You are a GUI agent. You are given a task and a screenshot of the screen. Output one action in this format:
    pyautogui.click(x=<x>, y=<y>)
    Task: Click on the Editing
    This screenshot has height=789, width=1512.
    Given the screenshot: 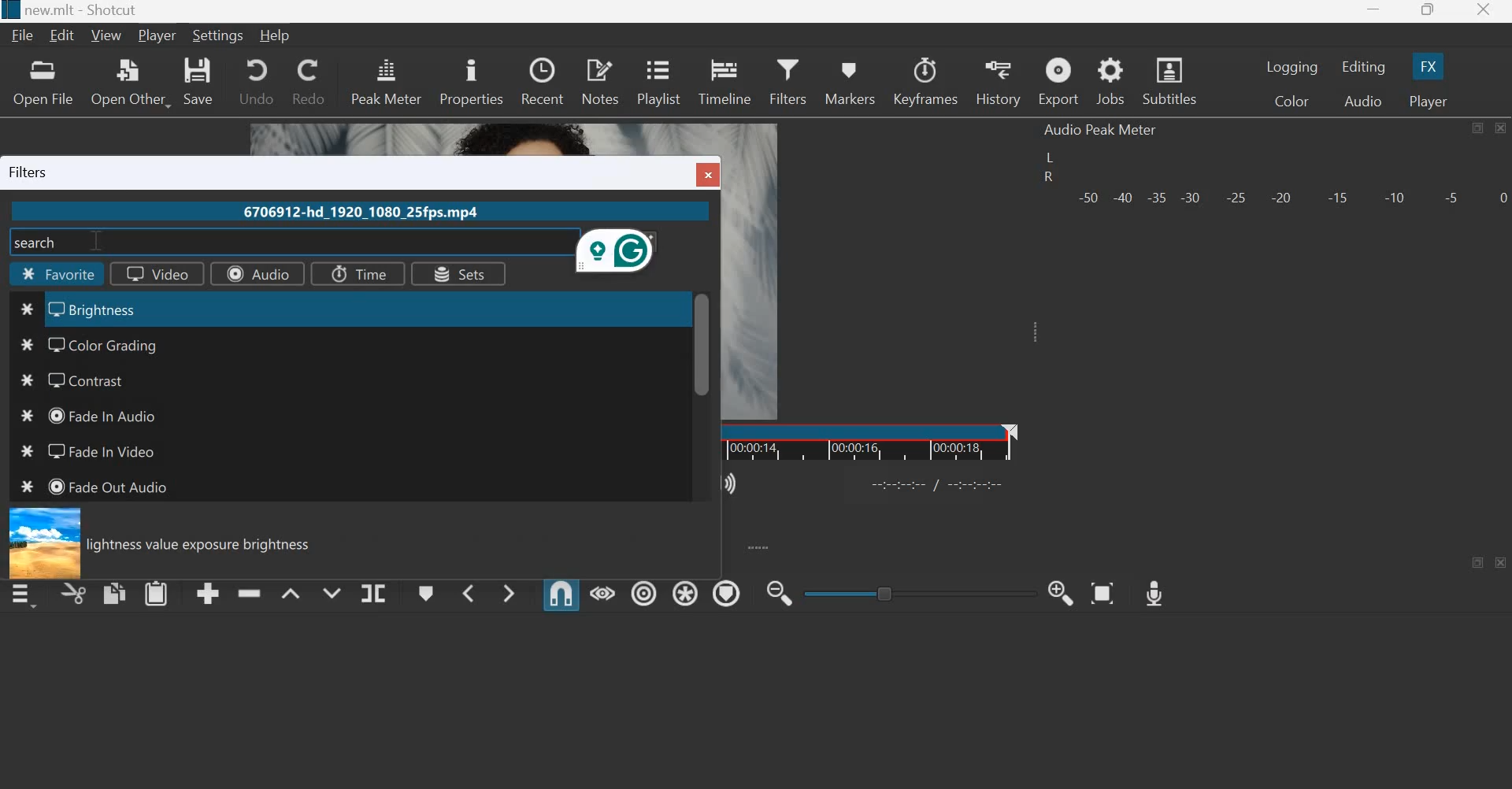 What is the action you would take?
    pyautogui.click(x=1366, y=67)
    